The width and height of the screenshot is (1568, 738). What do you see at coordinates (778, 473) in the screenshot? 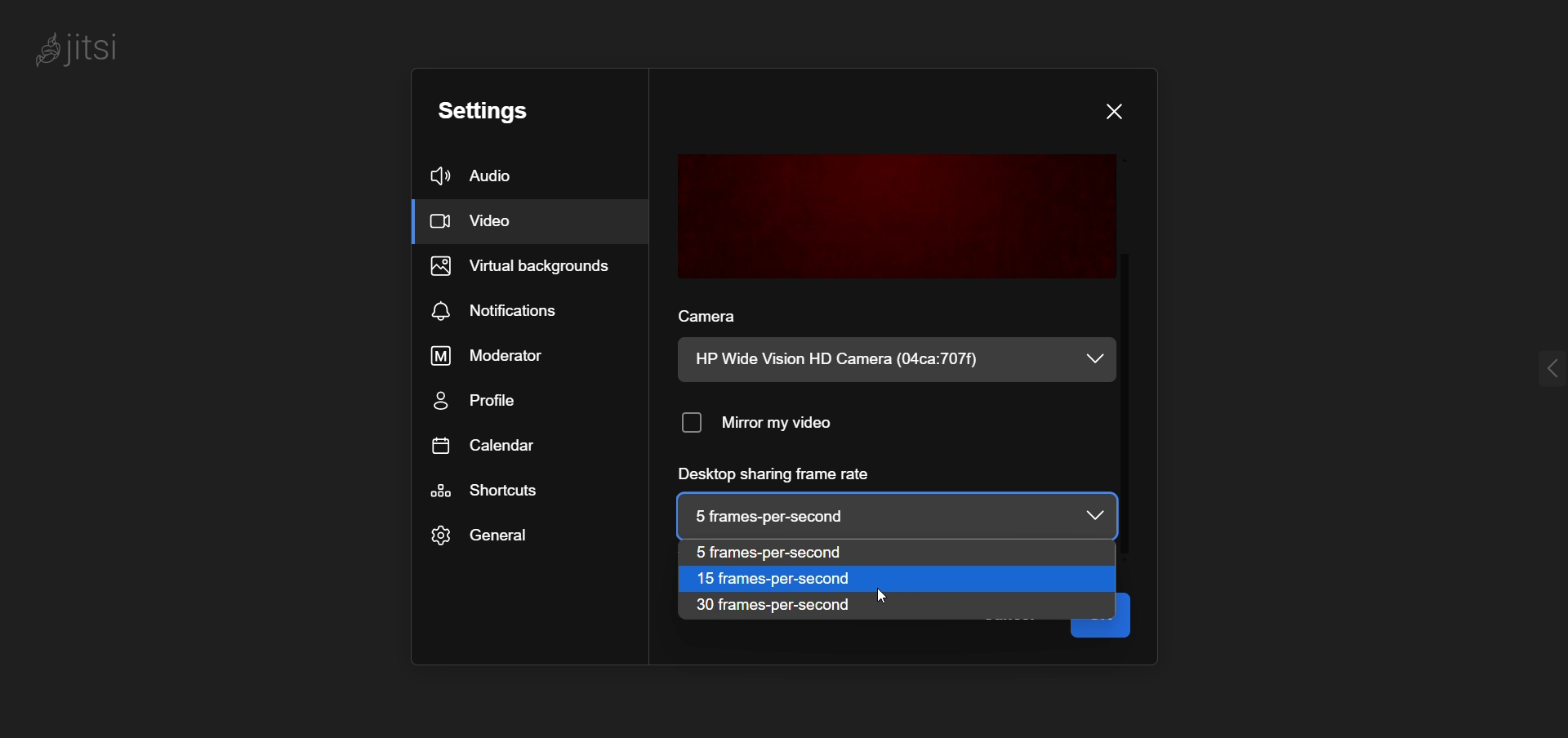
I see `desktop sharing frame rate` at bounding box center [778, 473].